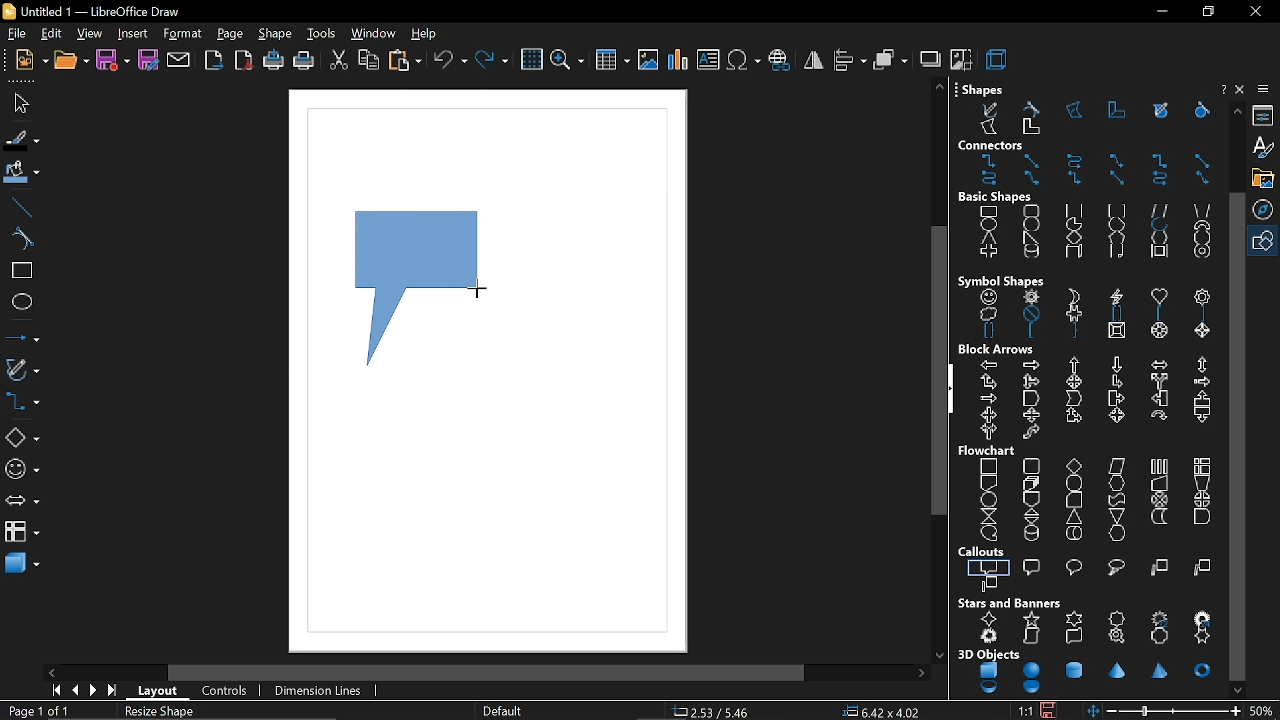 The image size is (1280, 720). Describe the element at coordinates (18, 237) in the screenshot. I see `curve` at that location.